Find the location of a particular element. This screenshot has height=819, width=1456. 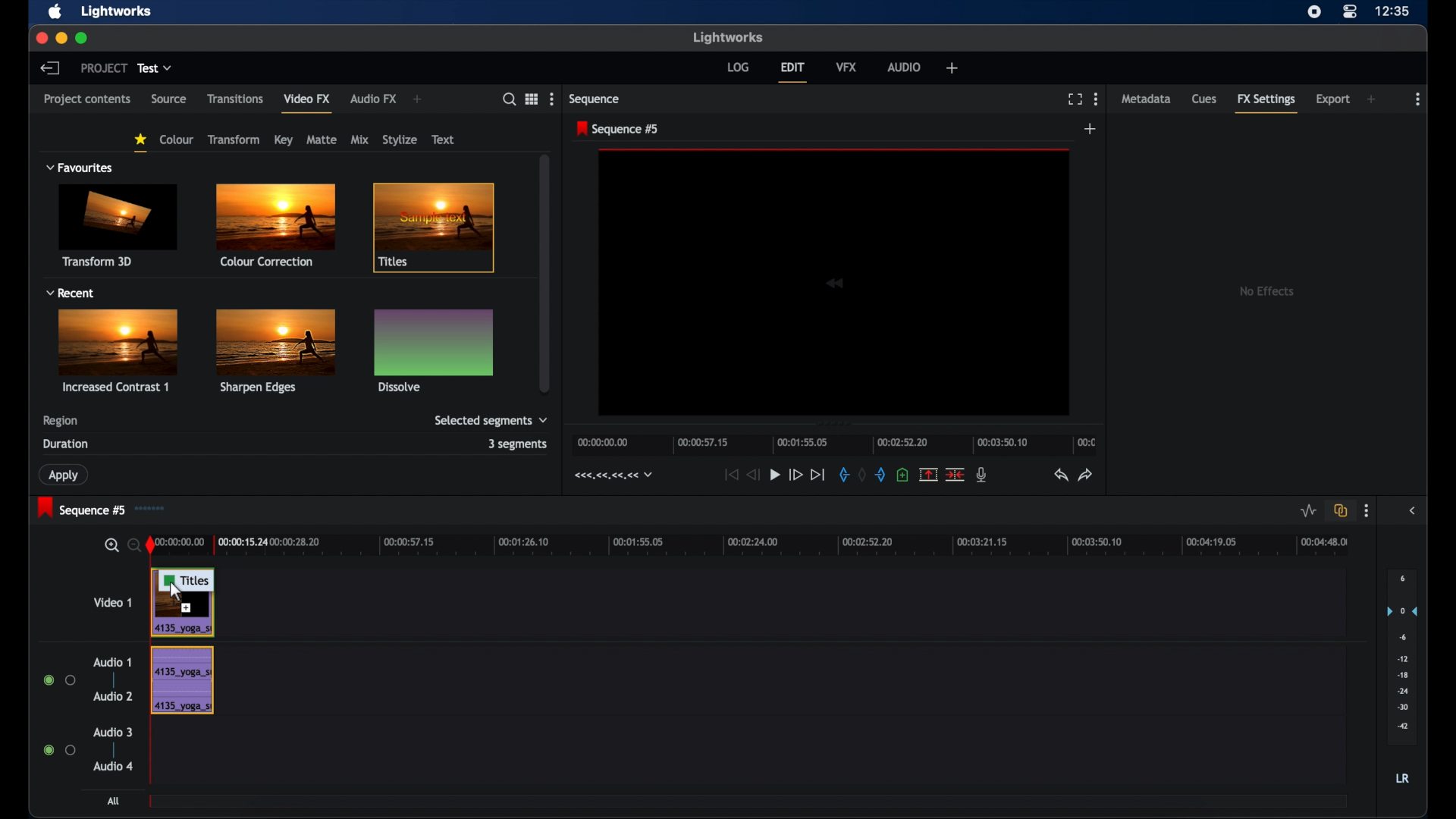

add is located at coordinates (418, 99).